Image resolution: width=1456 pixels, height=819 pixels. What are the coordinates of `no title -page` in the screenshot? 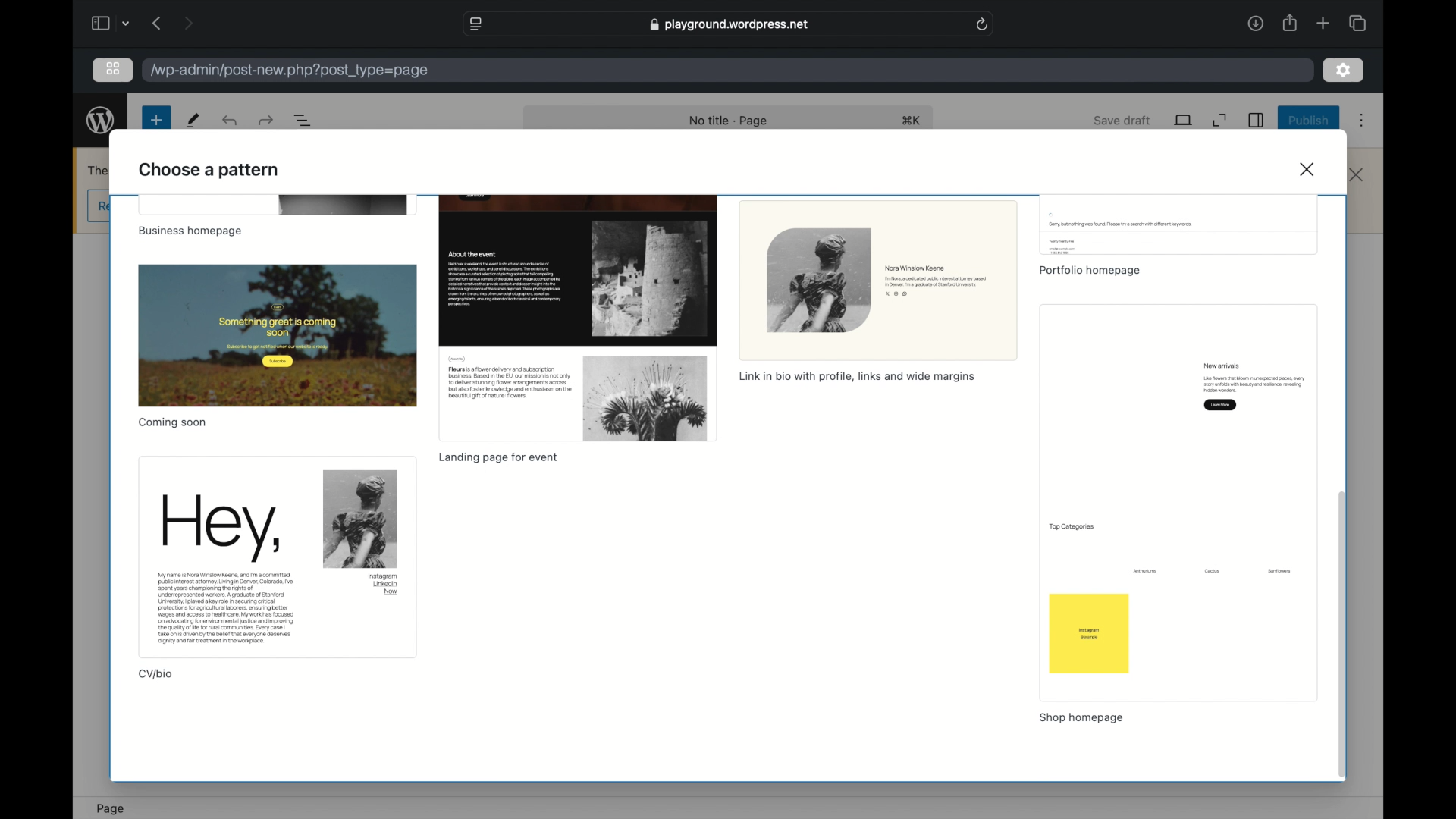 It's located at (730, 122).